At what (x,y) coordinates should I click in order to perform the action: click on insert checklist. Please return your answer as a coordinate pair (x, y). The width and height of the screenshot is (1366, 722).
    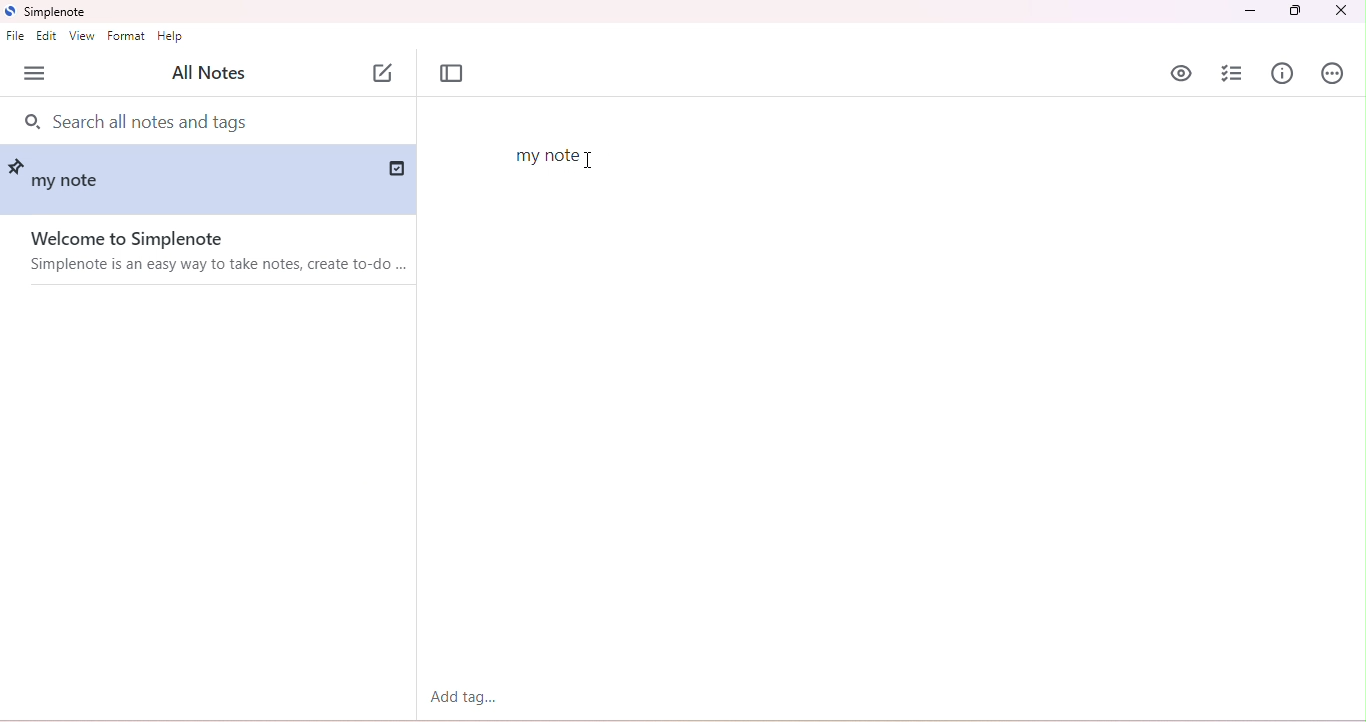
    Looking at the image, I should click on (1231, 75).